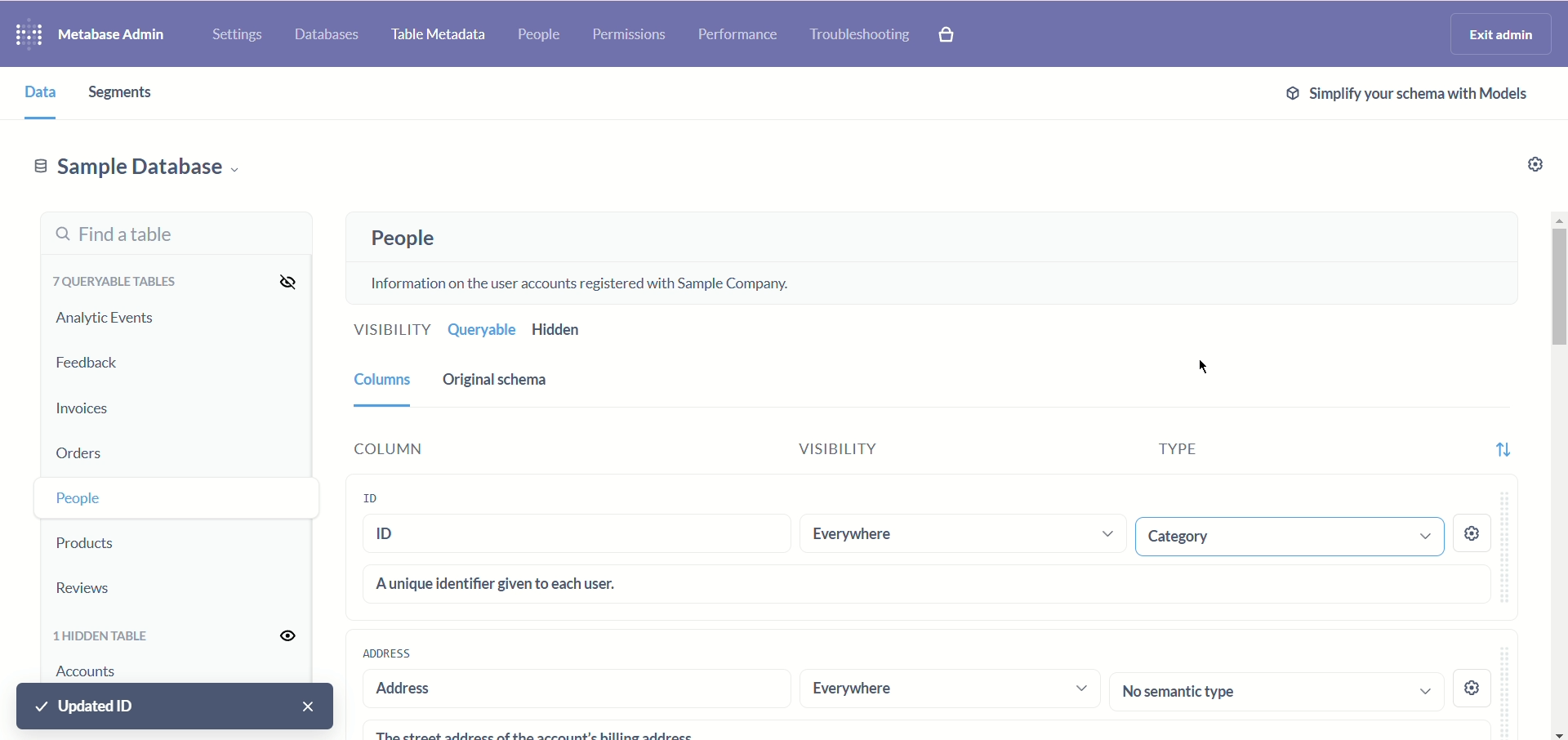 This screenshot has width=1568, height=740. What do you see at coordinates (111, 449) in the screenshot?
I see `Orders` at bounding box center [111, 449].